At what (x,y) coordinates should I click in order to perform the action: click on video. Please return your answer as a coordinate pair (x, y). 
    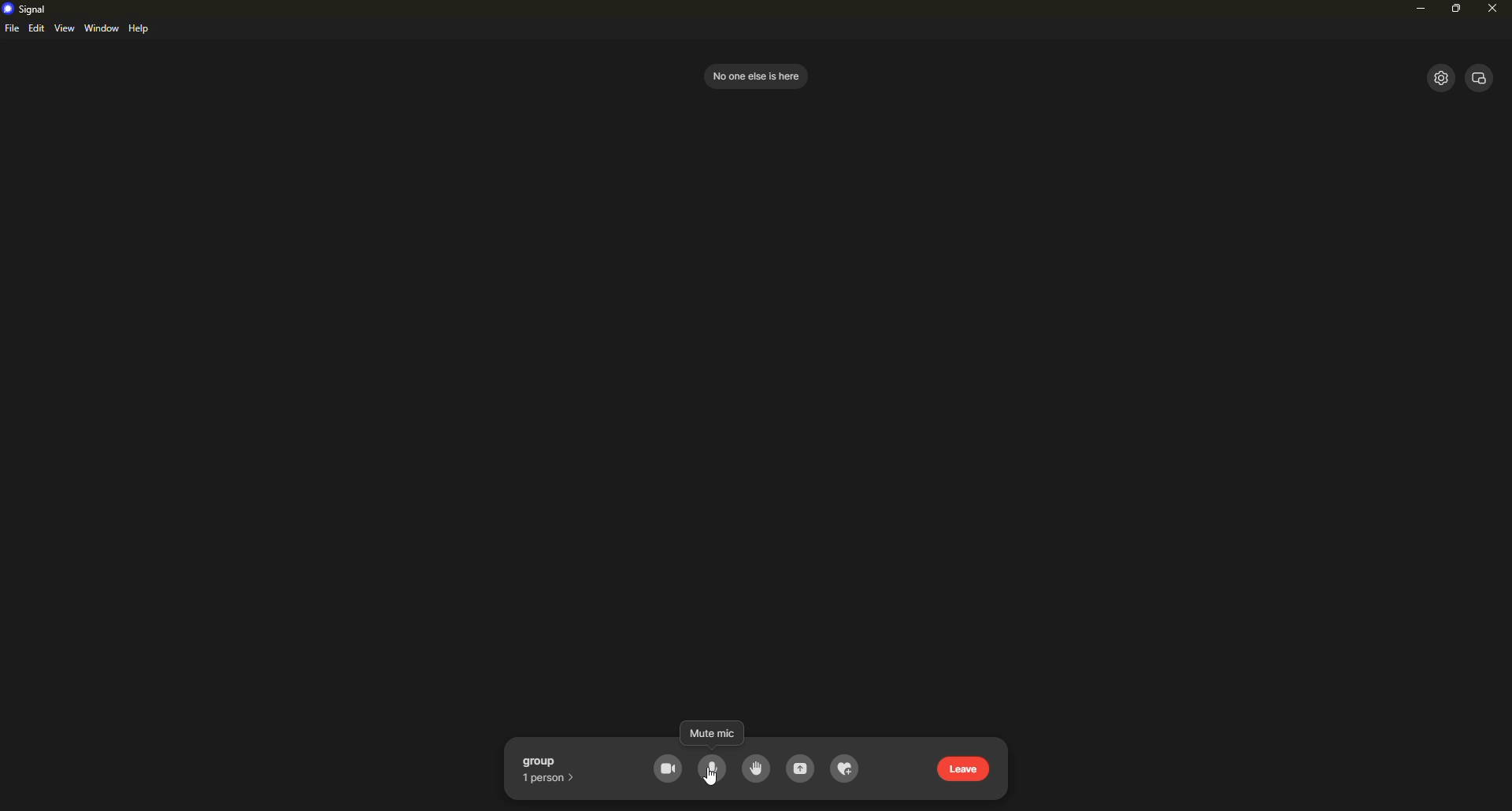
    Looking at the image, I should click on (669, 769).